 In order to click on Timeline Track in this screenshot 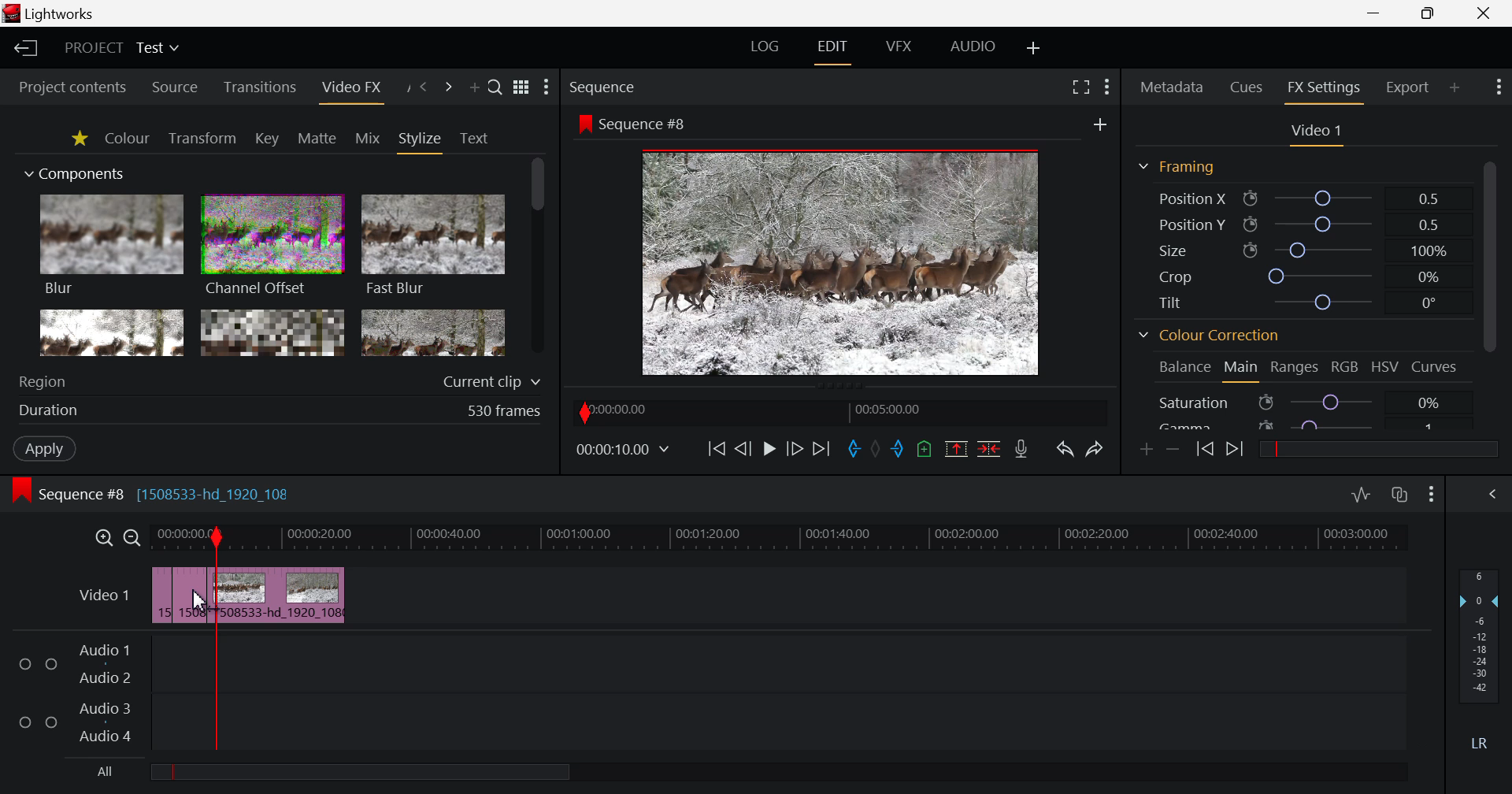, I will do `click(784, 540)`.